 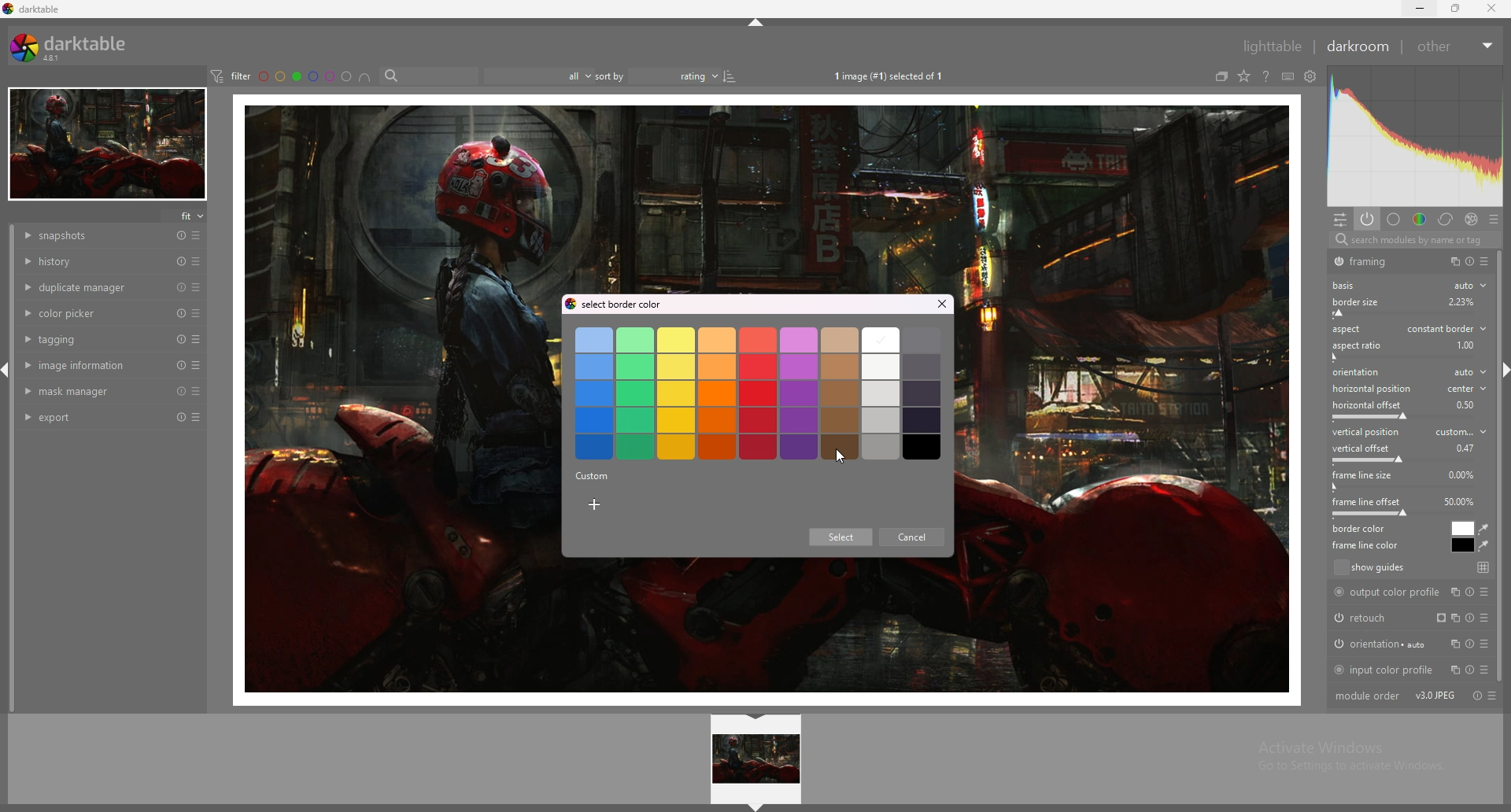 What do you see at coordinates (1484, 546) in the screenshot?
I see `waterdrop` at bounding box center [1484, 546].